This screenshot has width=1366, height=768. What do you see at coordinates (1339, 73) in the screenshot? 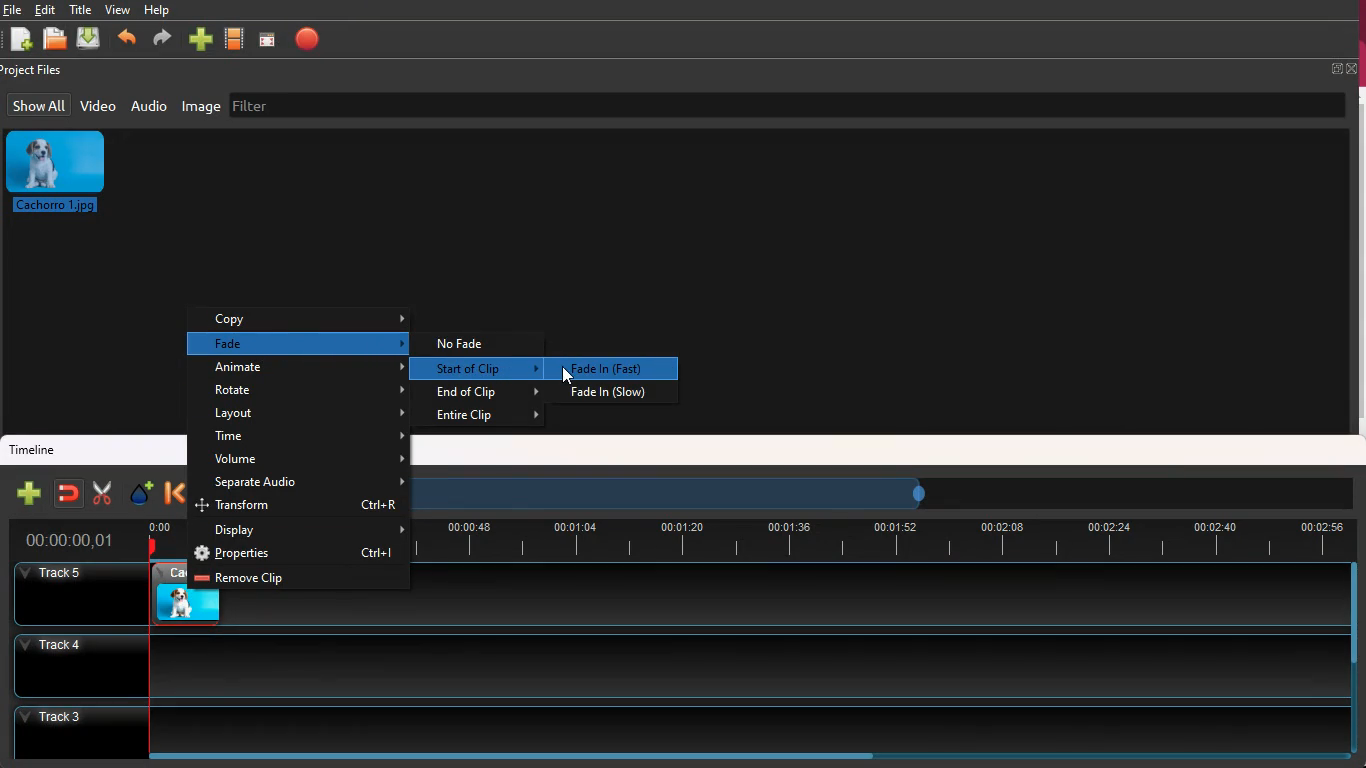
I see `full screen` at bounding box center [1339, 73].